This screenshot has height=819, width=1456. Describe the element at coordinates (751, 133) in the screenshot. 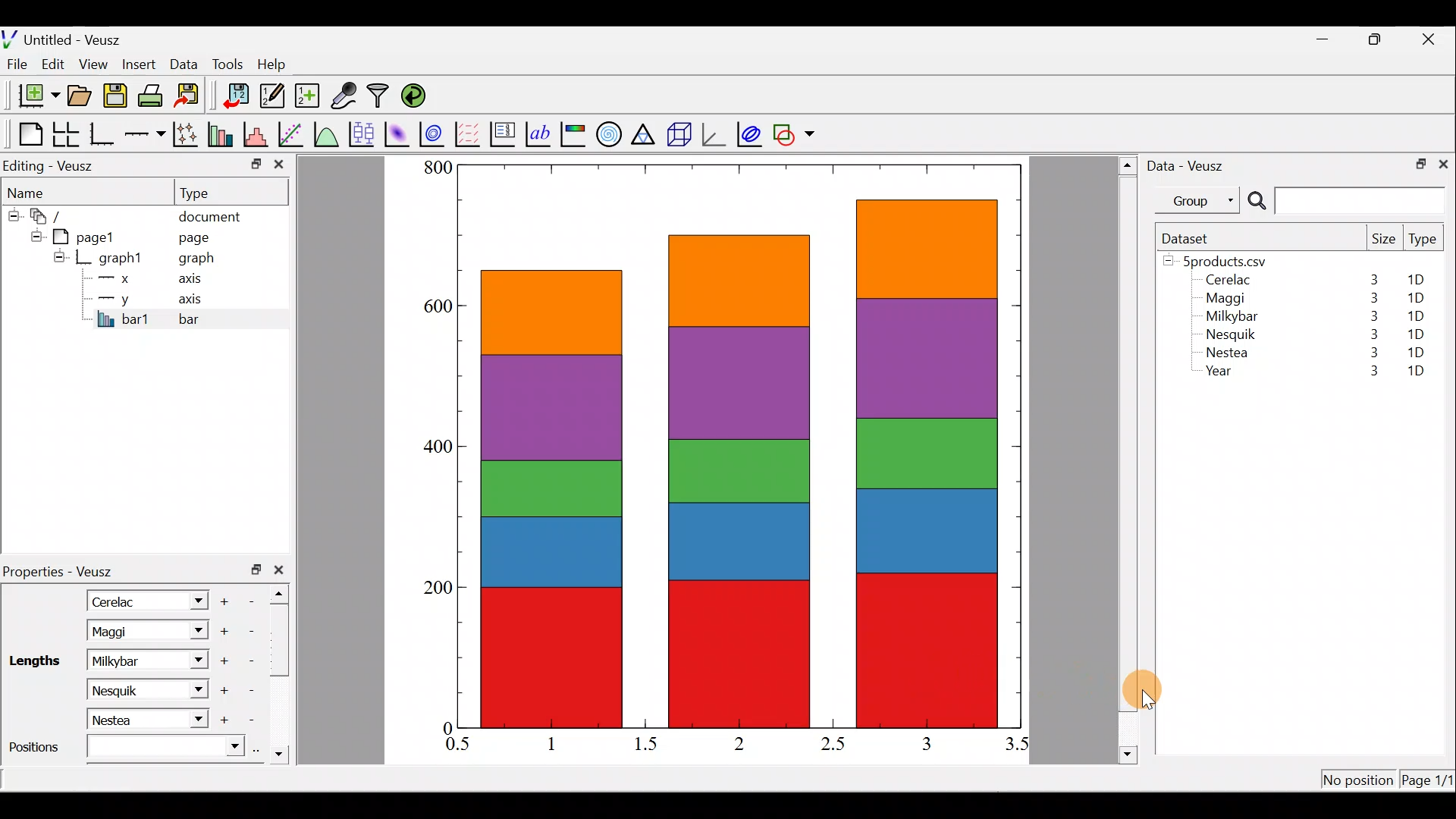

I see `plot covariance ellipses` at that location.